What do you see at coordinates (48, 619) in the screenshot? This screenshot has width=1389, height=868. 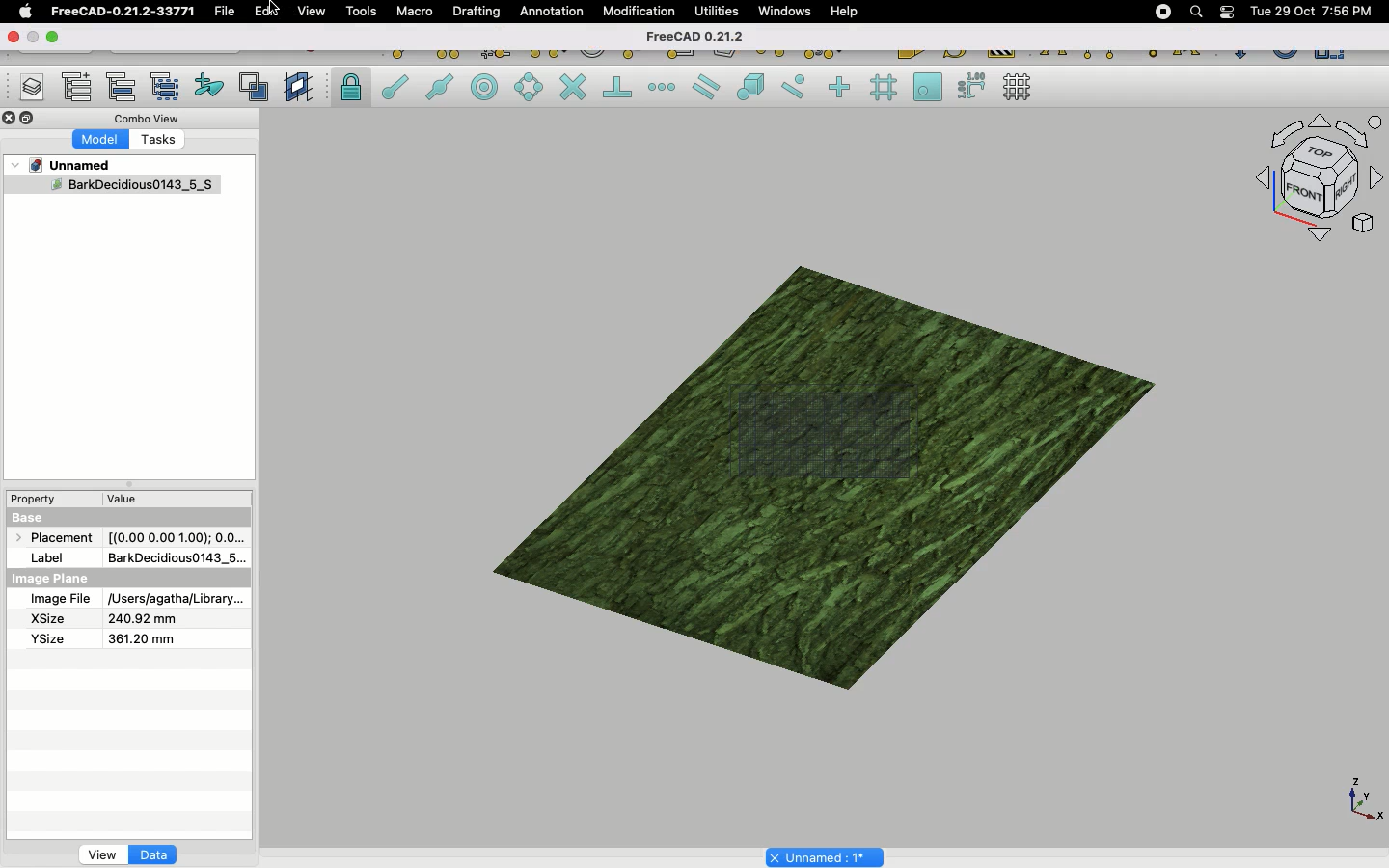 I see `XSize` at bounding box center [48, 619].